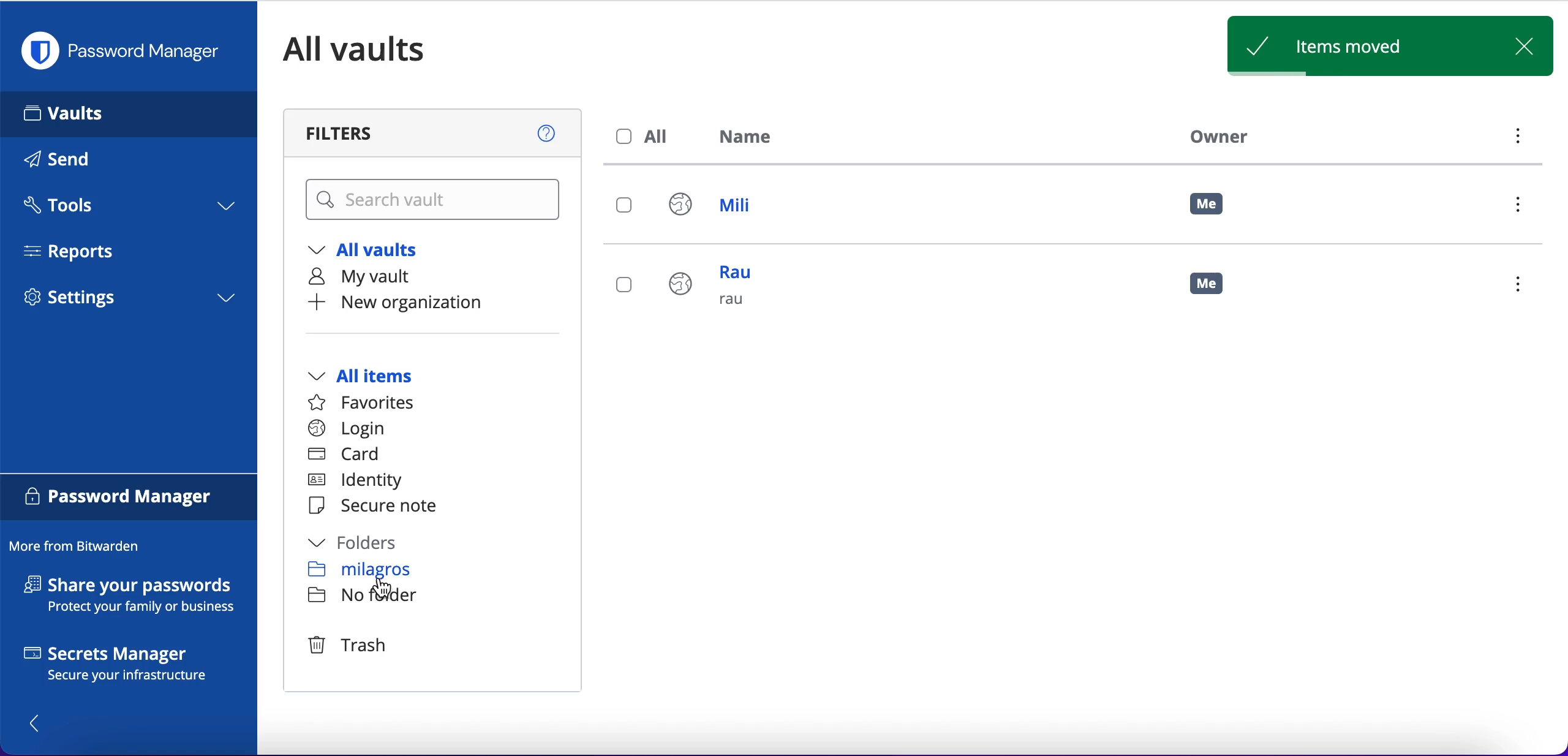 This screenshot has height=756, width=1568. I want to click on filters, so click(435, 133).